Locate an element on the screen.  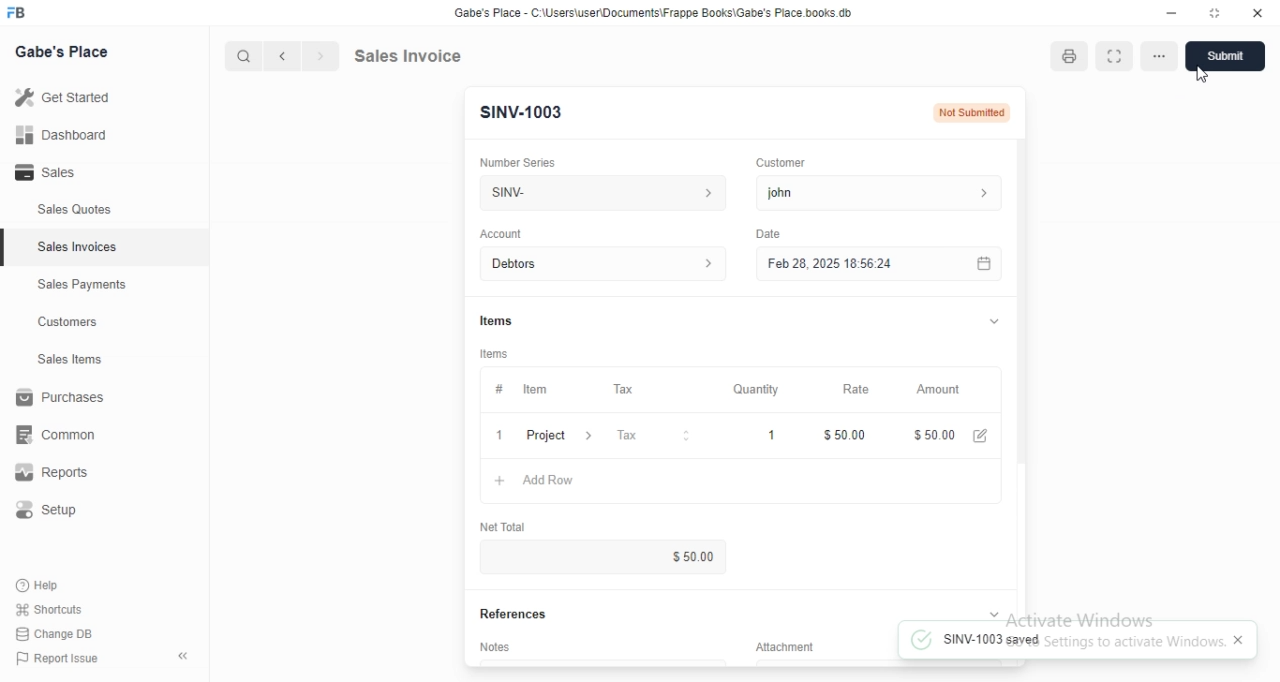
minimize is located at coordinates (1163, 15).